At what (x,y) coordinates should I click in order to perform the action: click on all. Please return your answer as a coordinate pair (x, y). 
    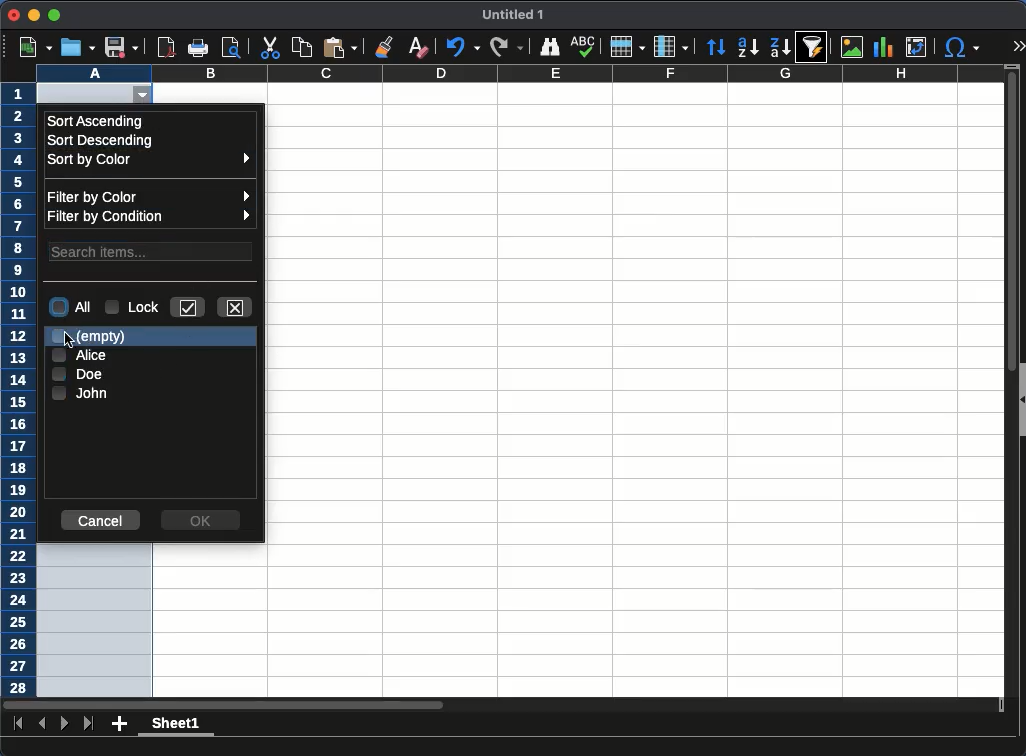
    Looking at the image, I should click on (71, 306).